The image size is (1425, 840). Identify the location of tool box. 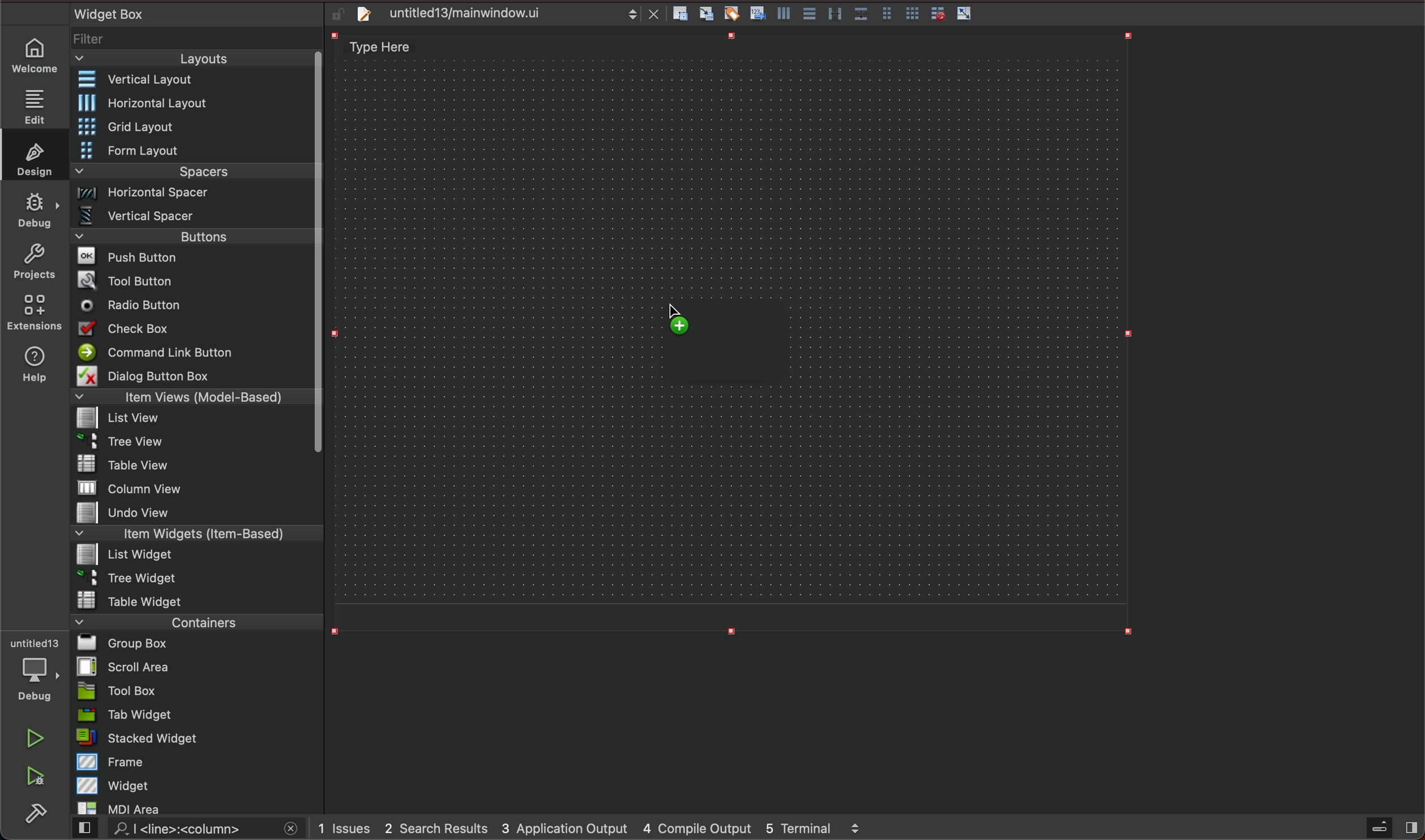
(192, 691).